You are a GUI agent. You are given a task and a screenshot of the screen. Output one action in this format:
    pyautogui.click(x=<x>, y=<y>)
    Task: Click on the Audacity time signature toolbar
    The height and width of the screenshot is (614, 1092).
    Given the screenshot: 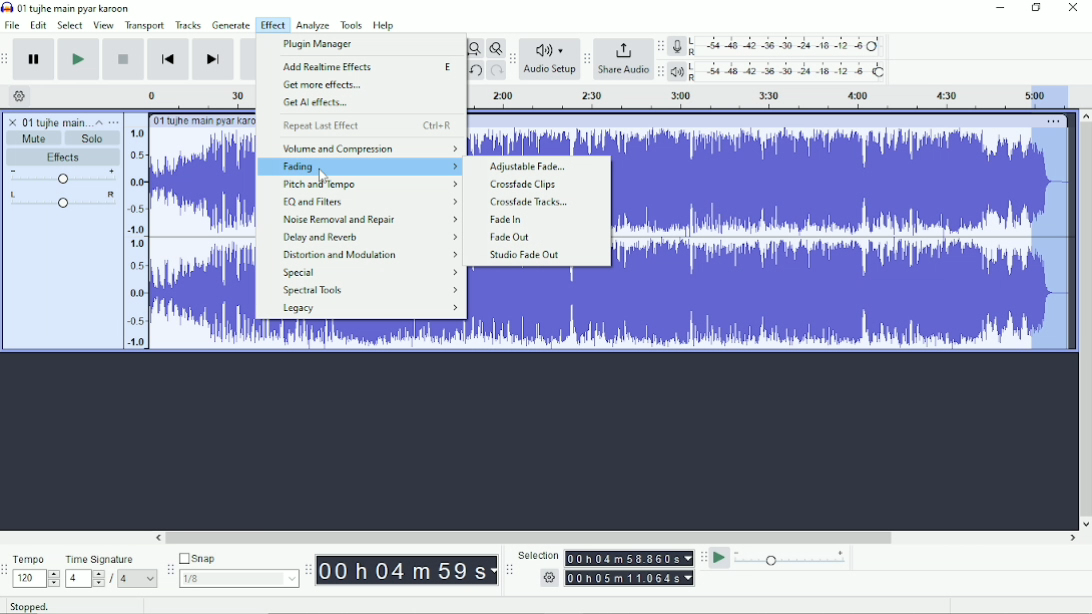 What is the action you would take?
    pyautogui.click(x=5, y=571)
    